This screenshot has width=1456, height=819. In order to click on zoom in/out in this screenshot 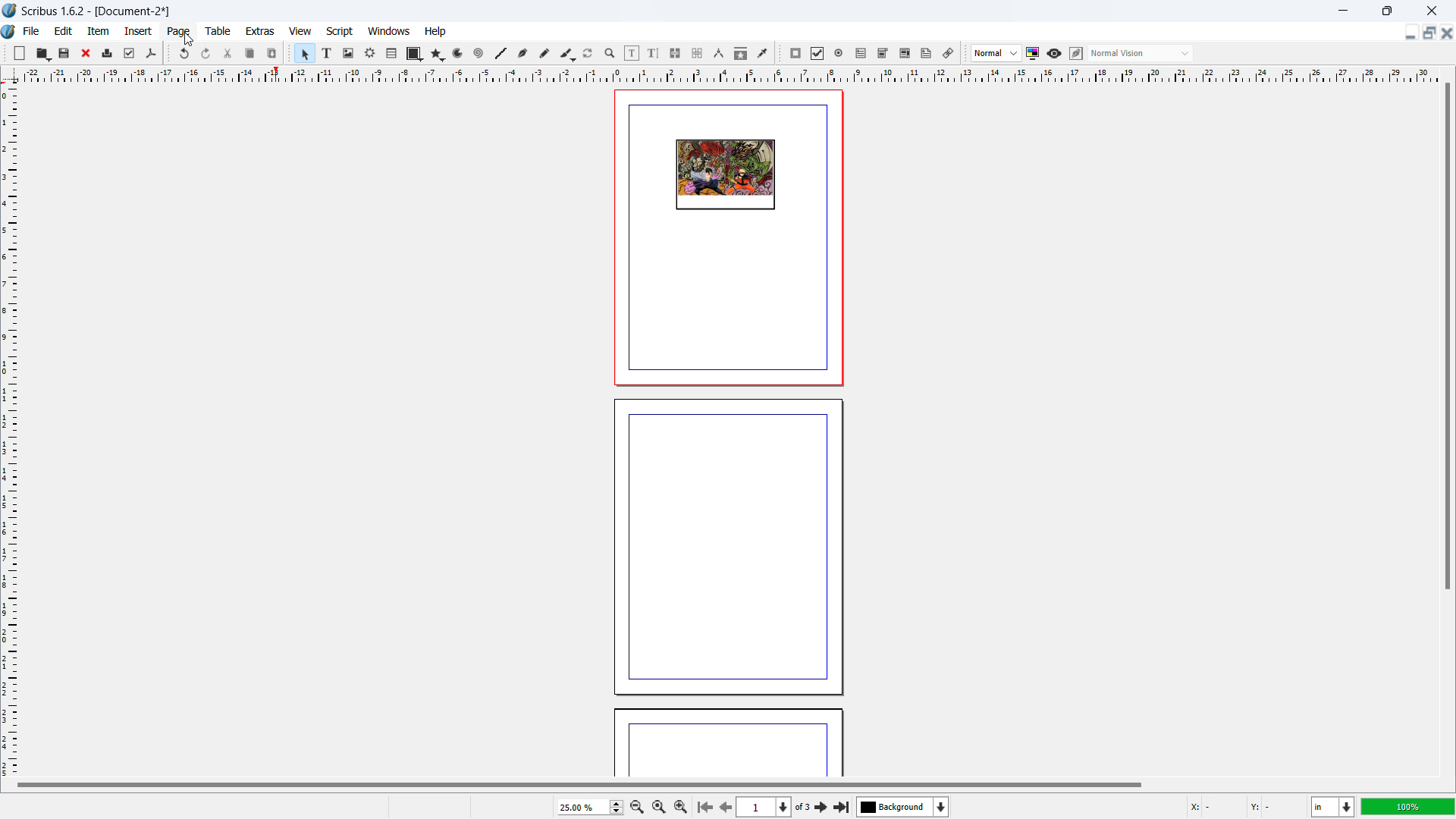, I will do `click(610, 54)`.